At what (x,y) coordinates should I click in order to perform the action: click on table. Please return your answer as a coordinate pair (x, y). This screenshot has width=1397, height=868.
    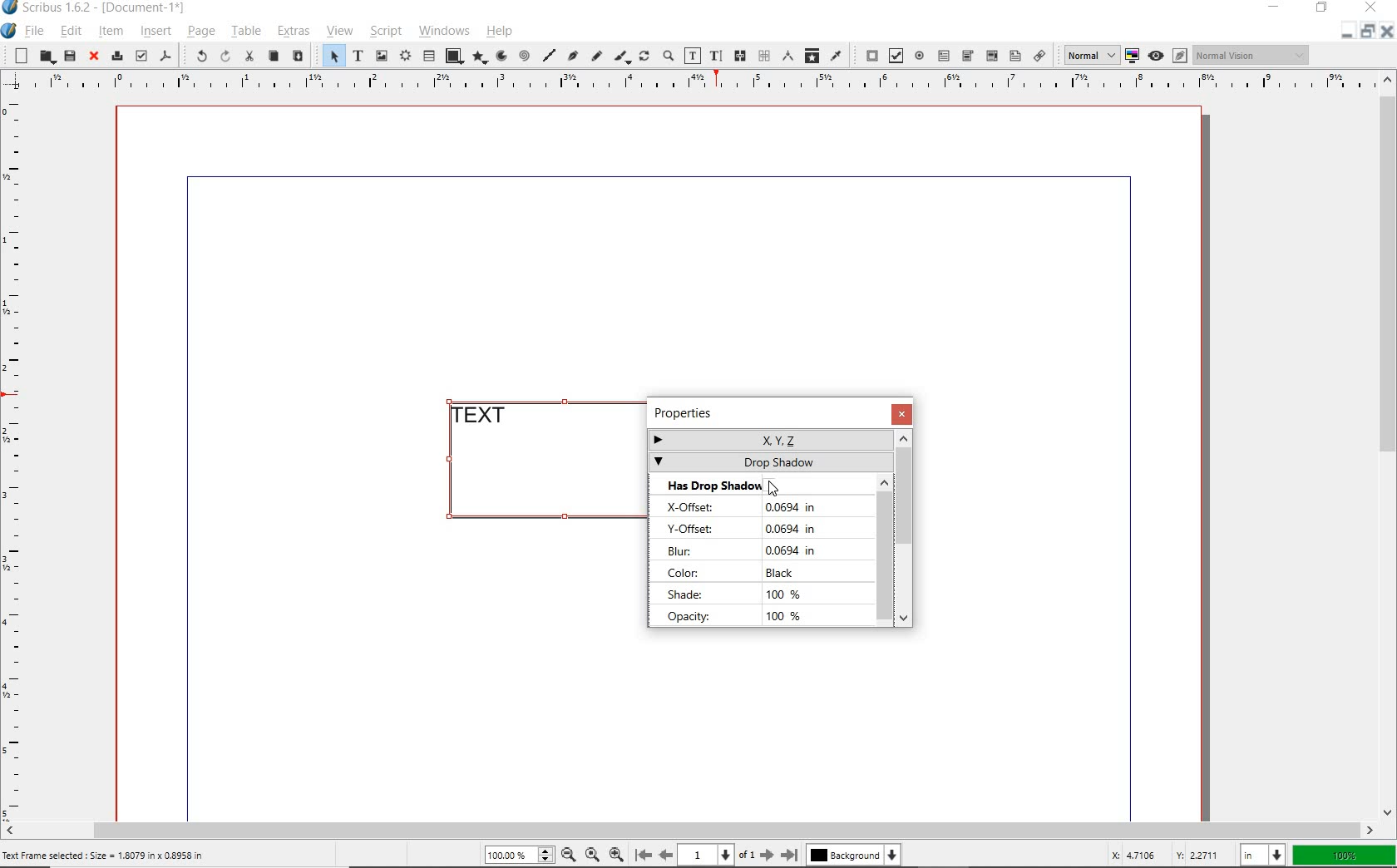
    Looking at the image, I should click on (246, 32).